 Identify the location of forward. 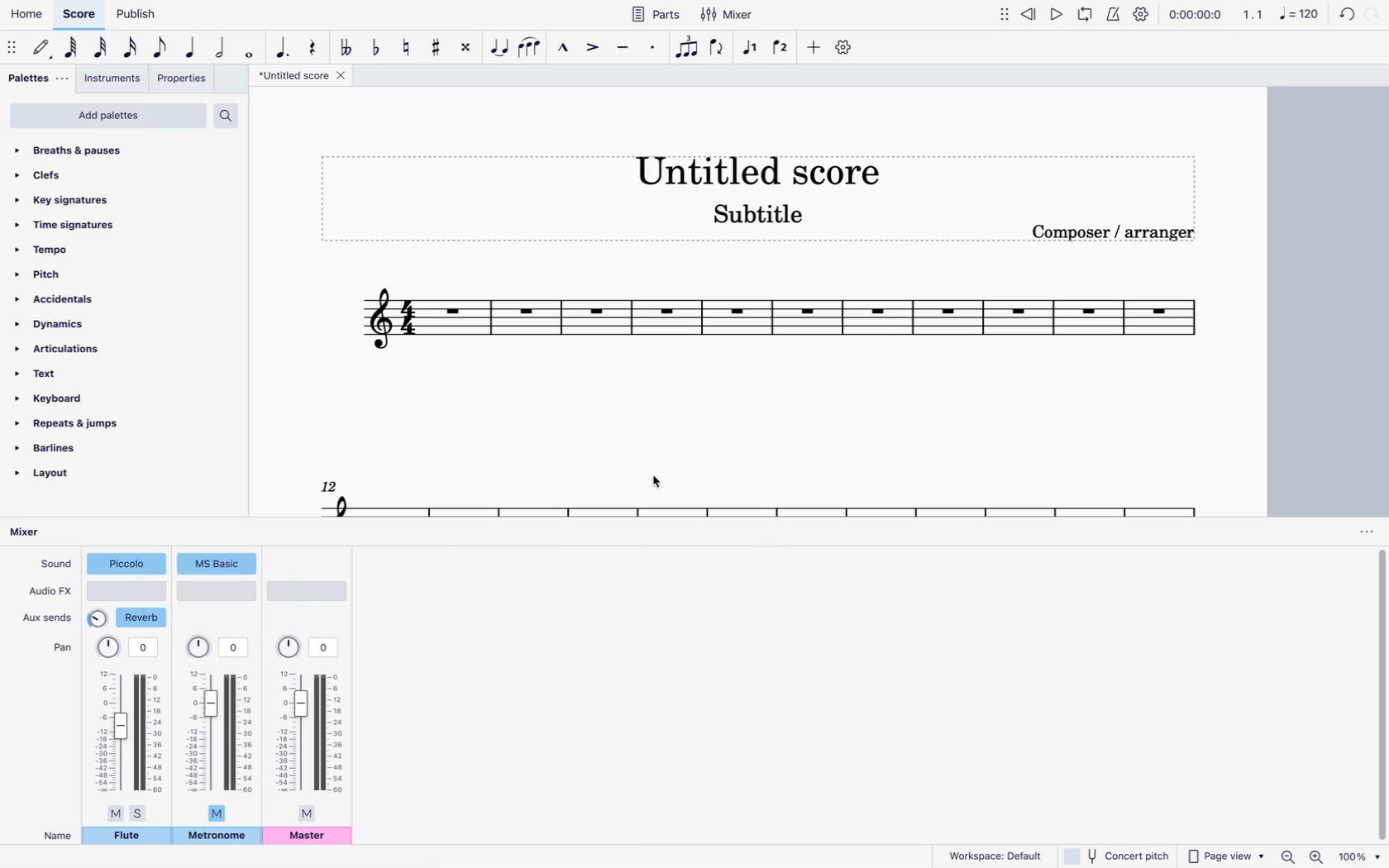
(1372, 16).